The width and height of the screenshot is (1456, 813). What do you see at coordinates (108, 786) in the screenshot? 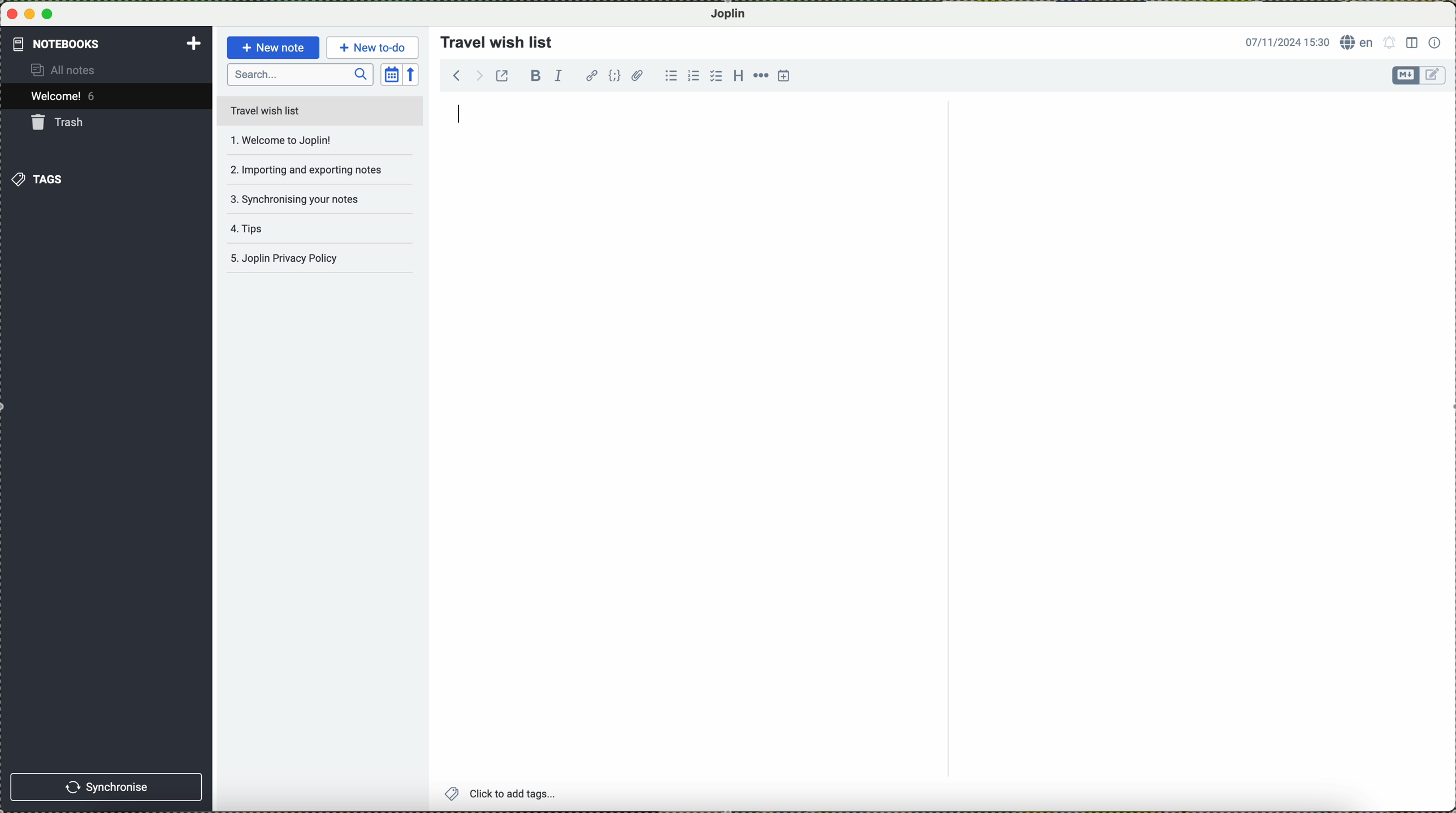
I see `synchronise button` at bounding box center [108, 786].